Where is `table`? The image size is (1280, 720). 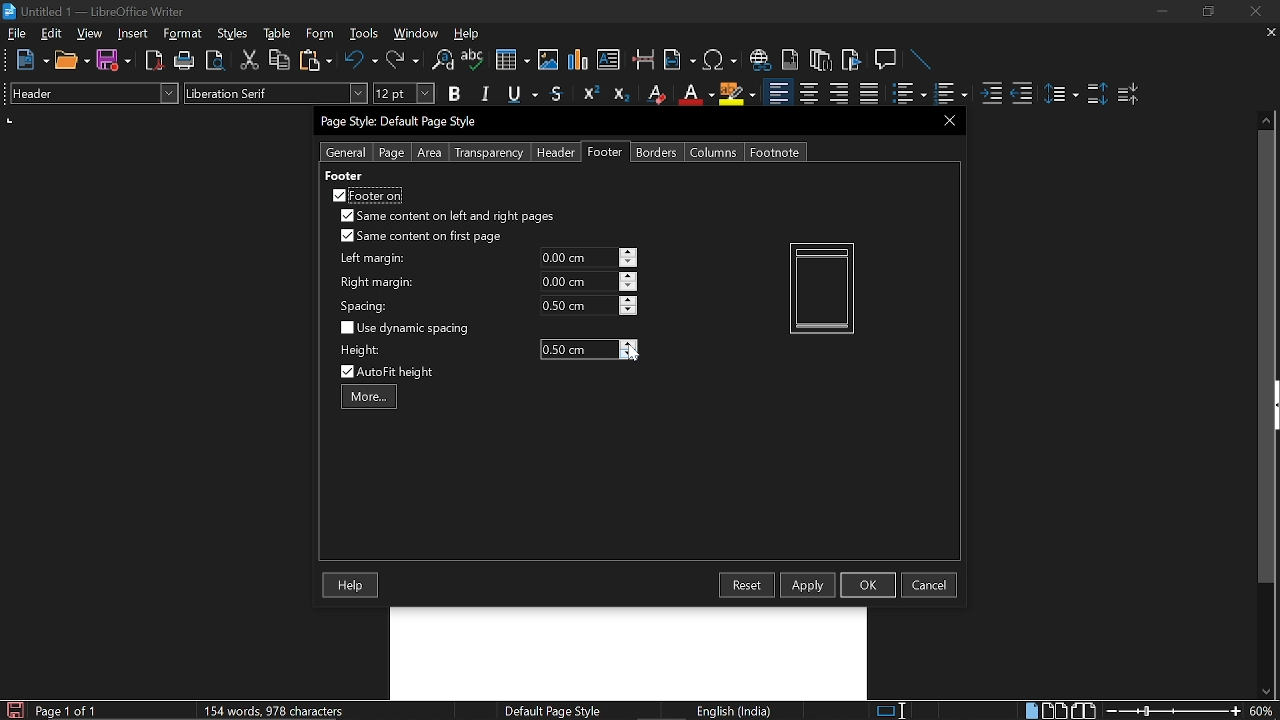 table is located at coordinates (278, 34).